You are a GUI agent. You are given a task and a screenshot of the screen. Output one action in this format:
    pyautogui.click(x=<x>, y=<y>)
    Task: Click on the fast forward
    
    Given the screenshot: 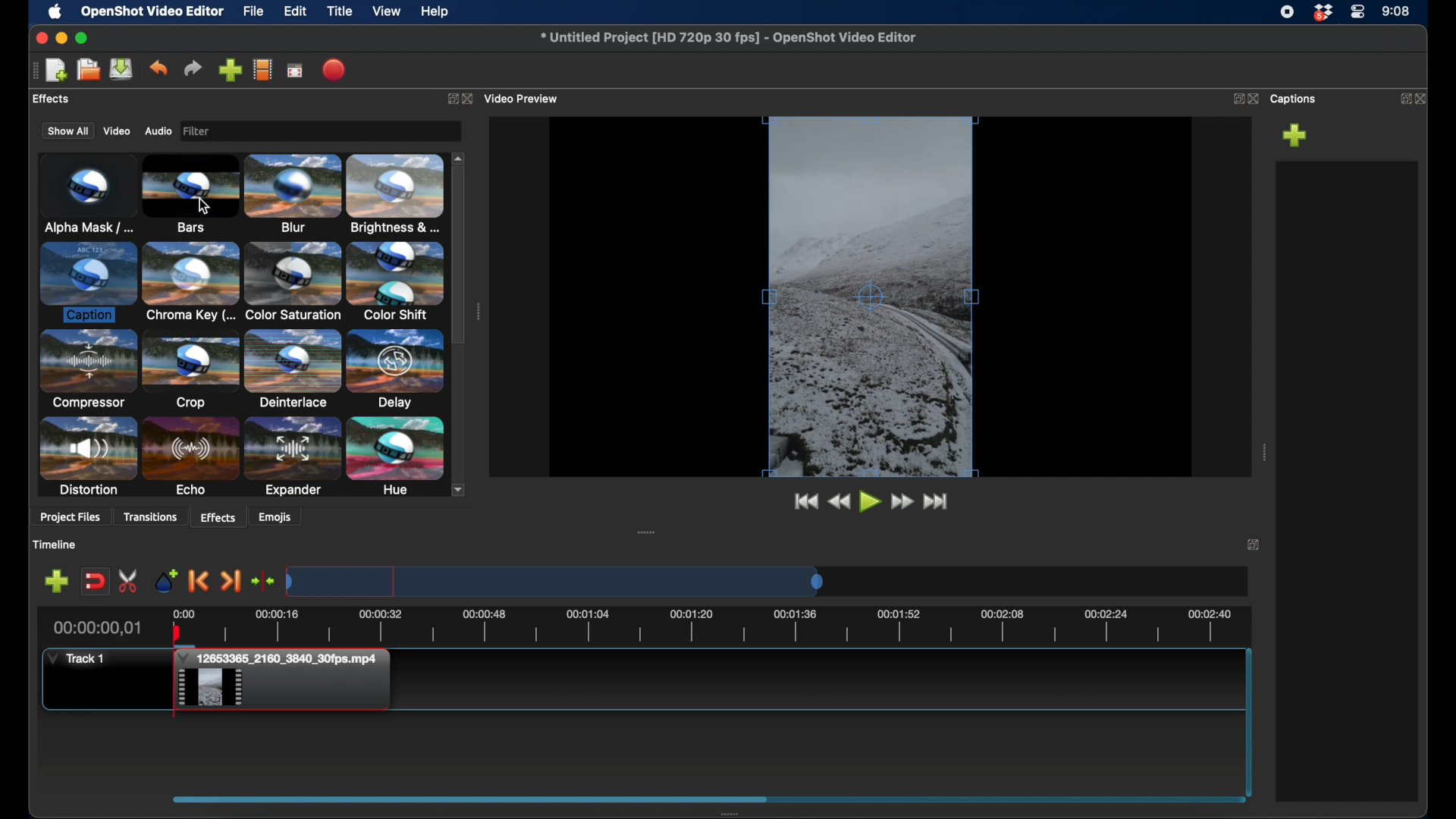 What is the action you would take?
    pyautogui.click(x=903, y=501)
    